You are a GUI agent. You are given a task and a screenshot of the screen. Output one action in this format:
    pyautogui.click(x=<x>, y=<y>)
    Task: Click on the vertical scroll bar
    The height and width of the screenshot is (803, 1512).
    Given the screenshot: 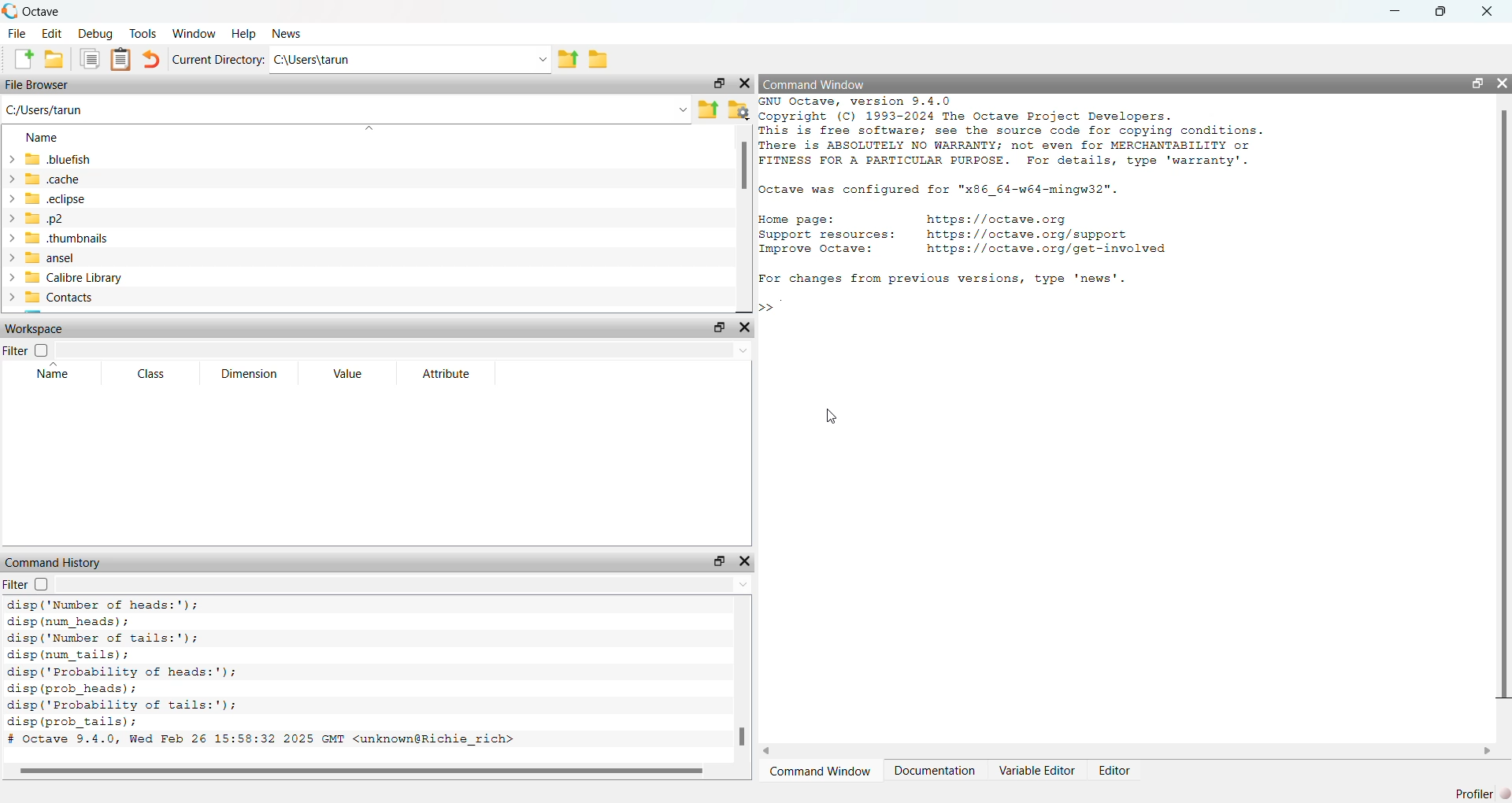 What is the action you would take?
    pyautogui.click(x=1504, y=413)
    